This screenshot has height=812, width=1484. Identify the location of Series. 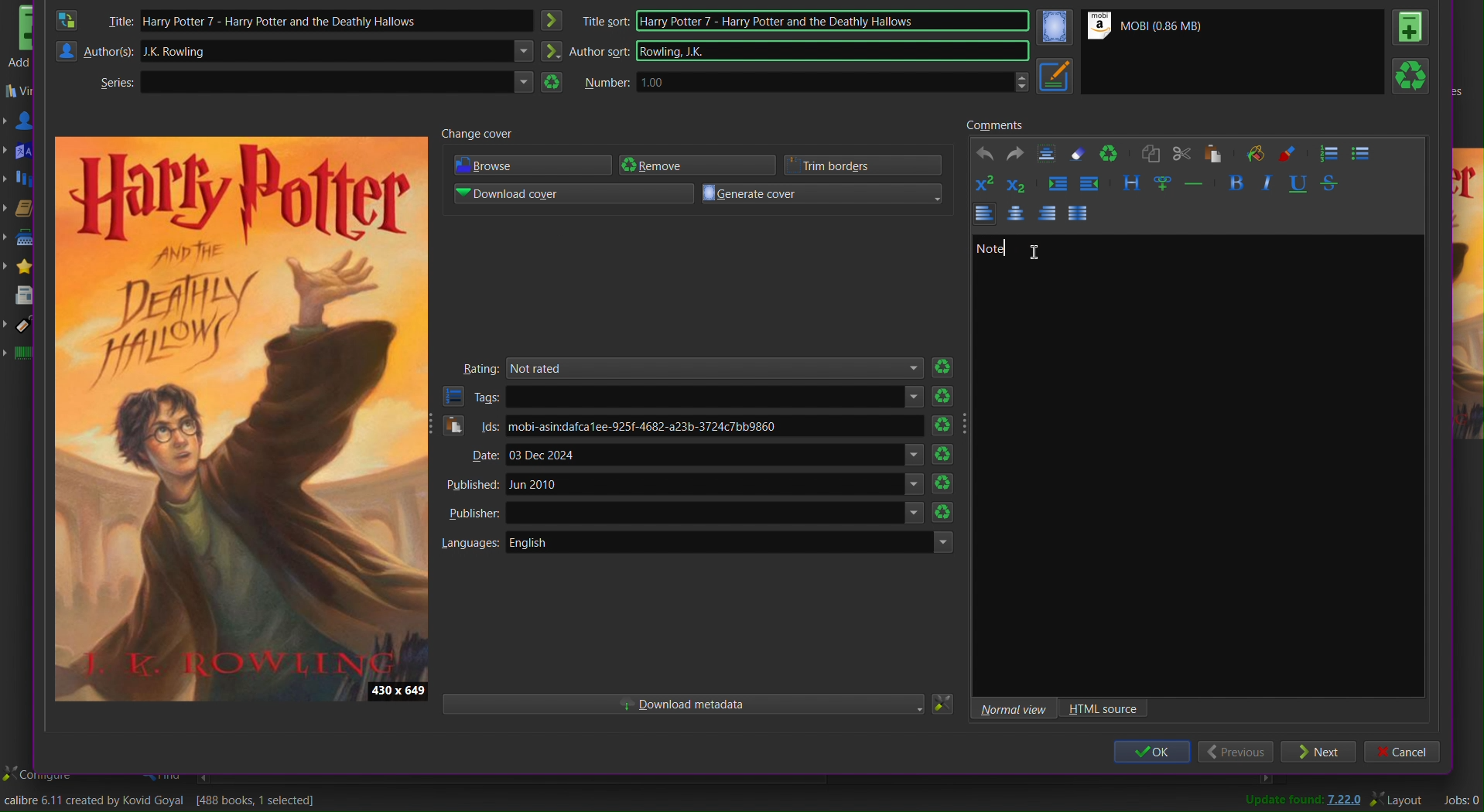
(111, 87).